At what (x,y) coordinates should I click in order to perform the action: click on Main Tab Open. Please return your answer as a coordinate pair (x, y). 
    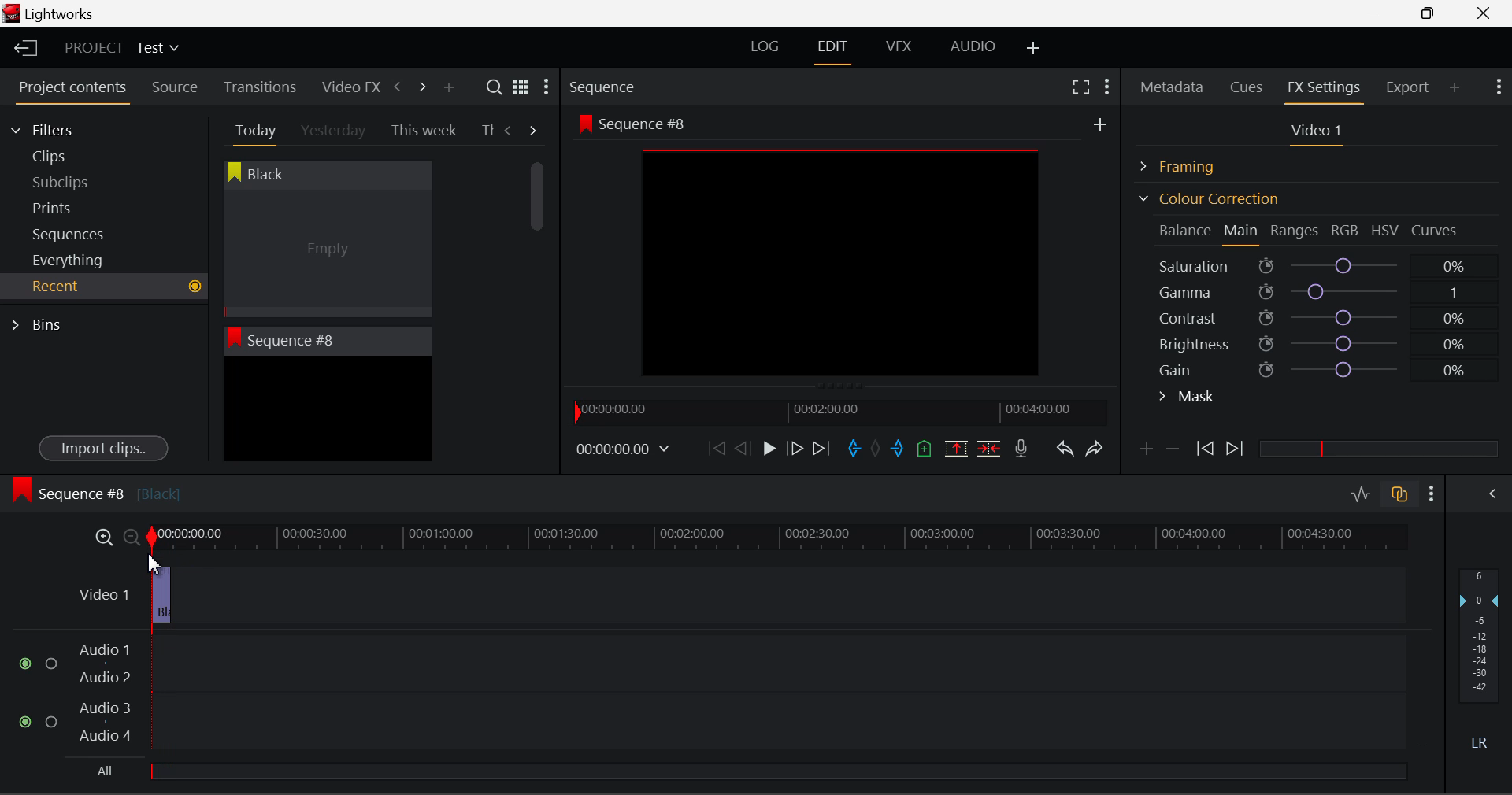
    Looking at the image, I should click on (1242, 232).